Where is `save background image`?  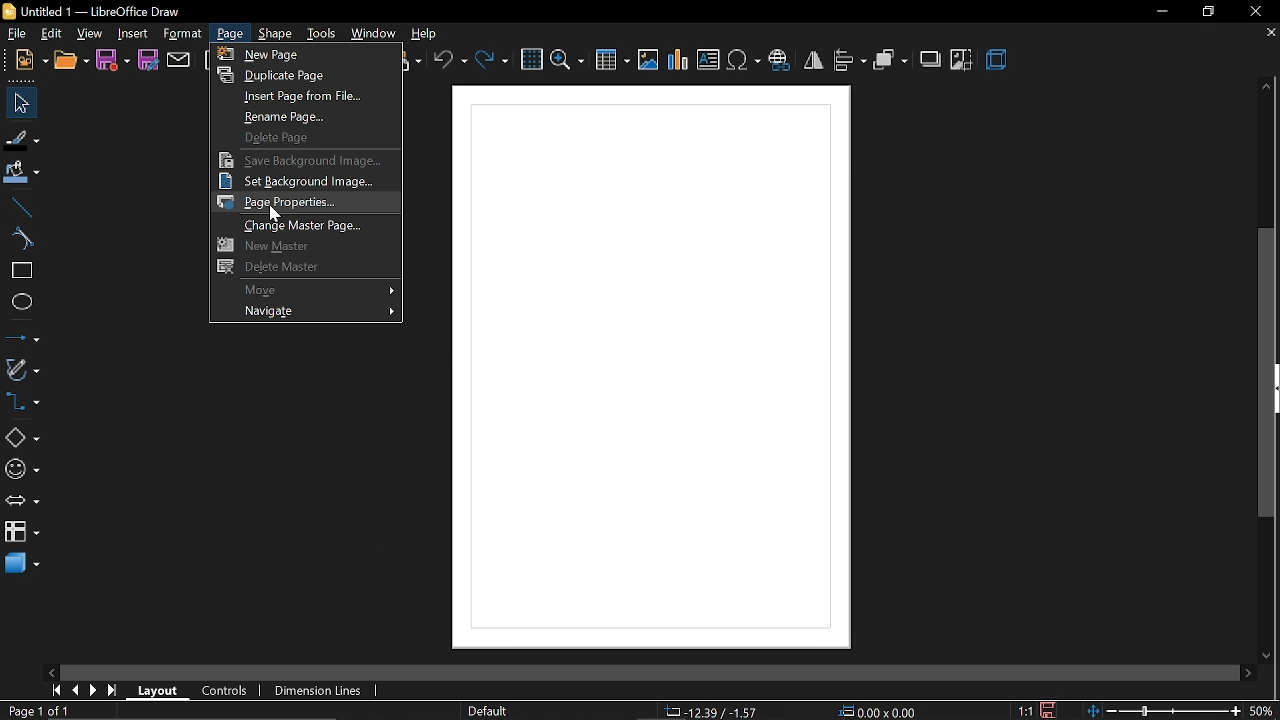 save background image is located at coordinates (306, 159).